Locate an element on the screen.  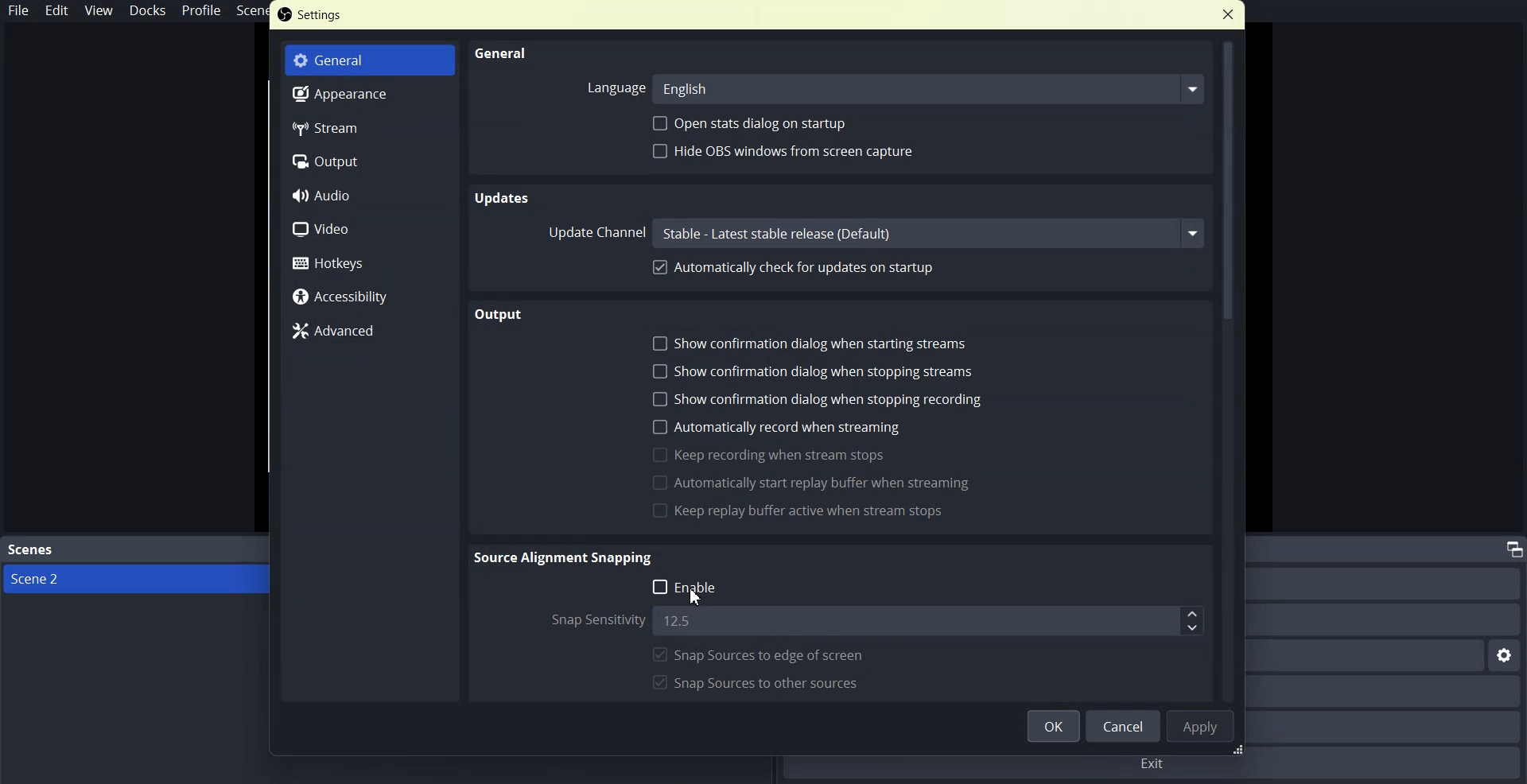
Apply is located at coordinates (1202, 727).